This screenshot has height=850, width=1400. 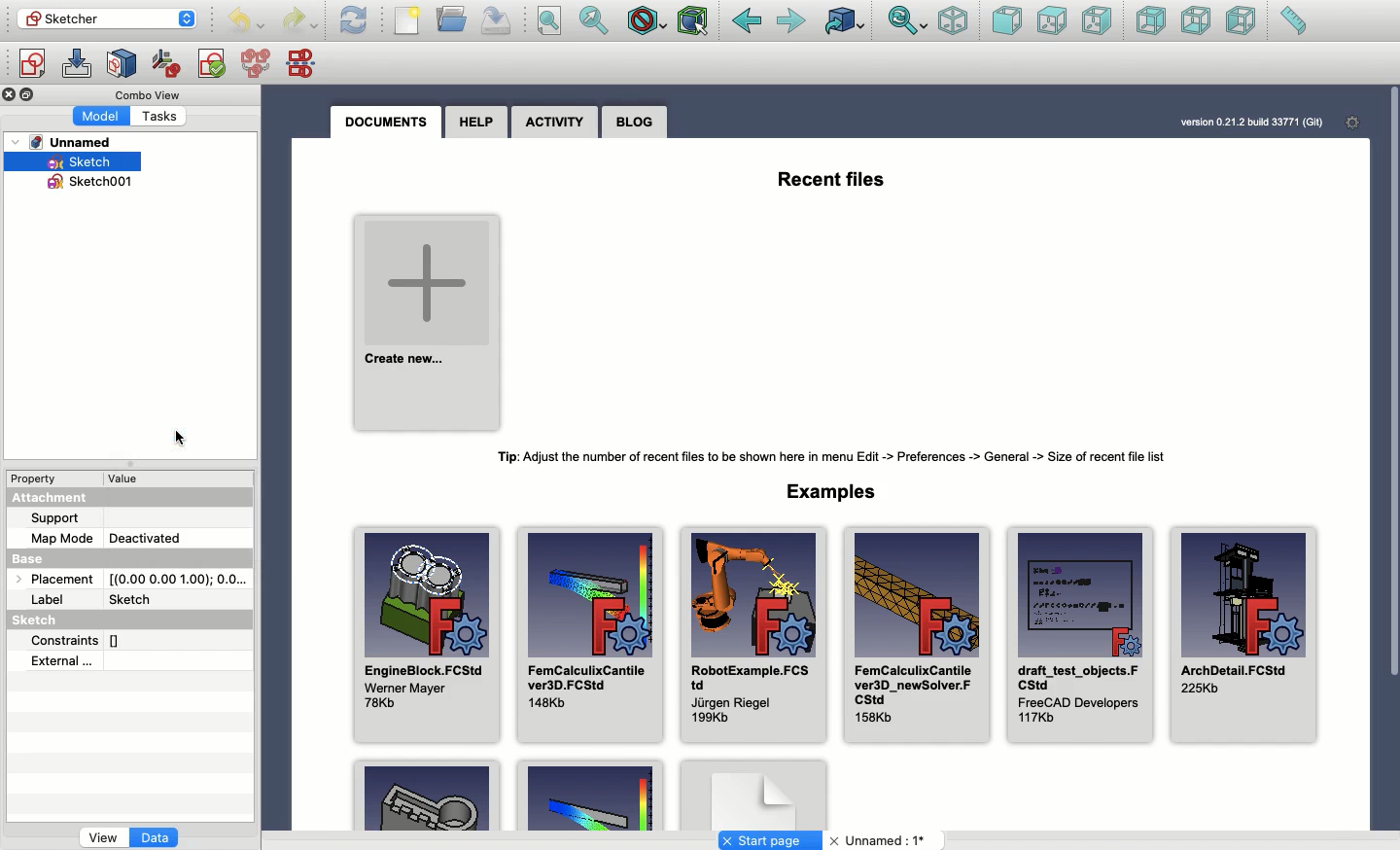 I want to click on Property, so click(x=36, y=478).